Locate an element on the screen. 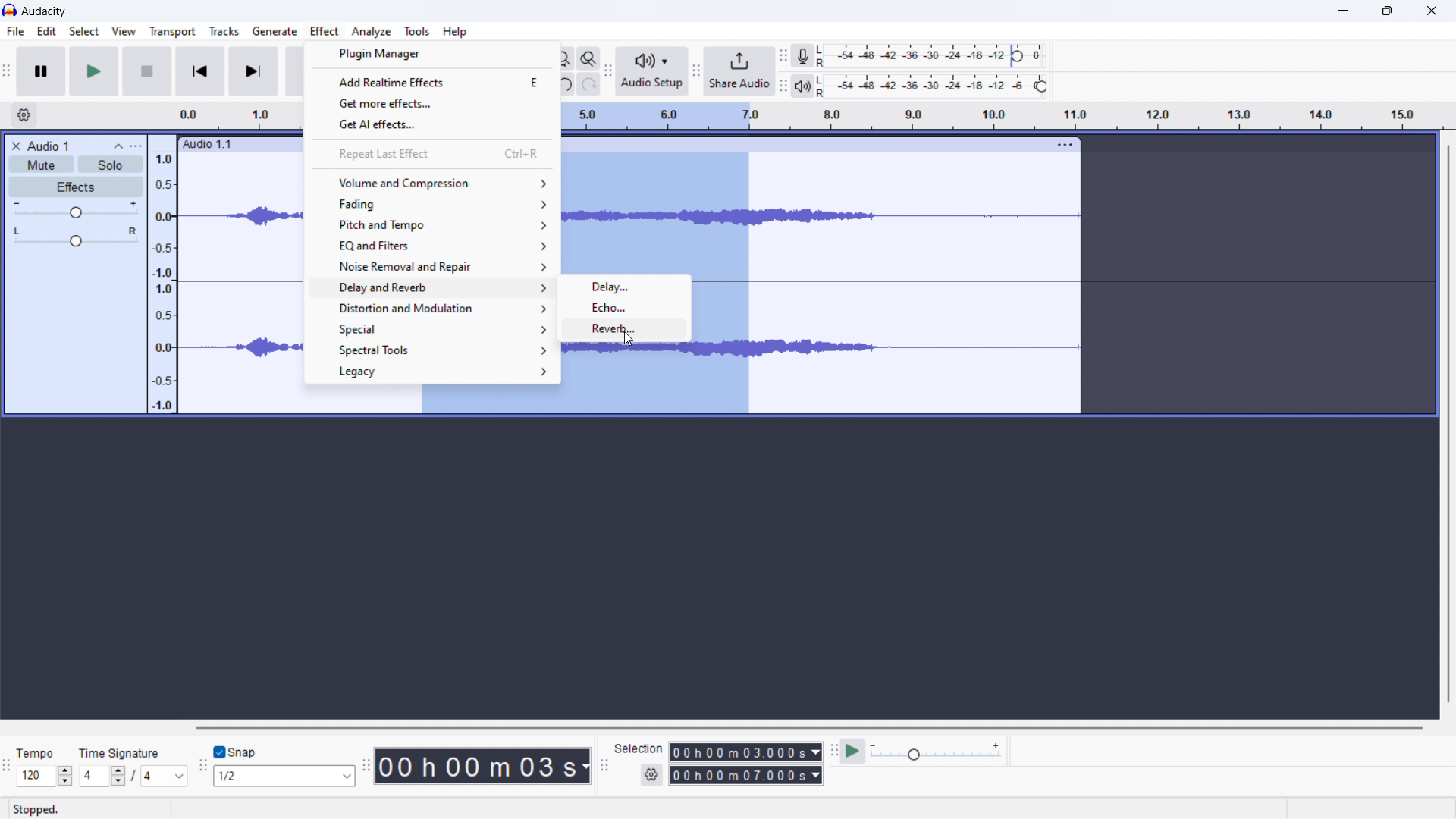  Effect is located at coordinates (326, 30).